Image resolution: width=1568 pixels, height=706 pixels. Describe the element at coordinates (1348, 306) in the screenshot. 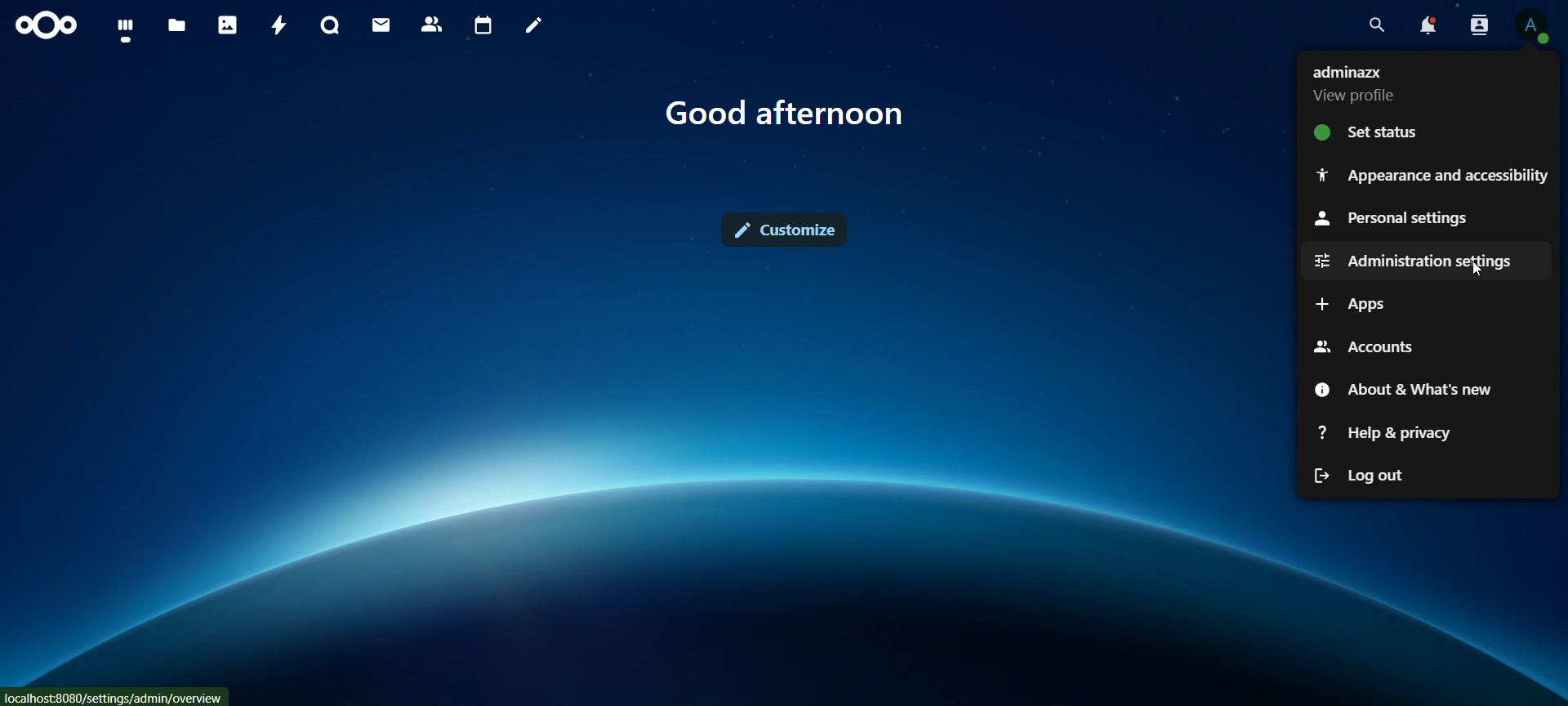

I see `apps` at that location.